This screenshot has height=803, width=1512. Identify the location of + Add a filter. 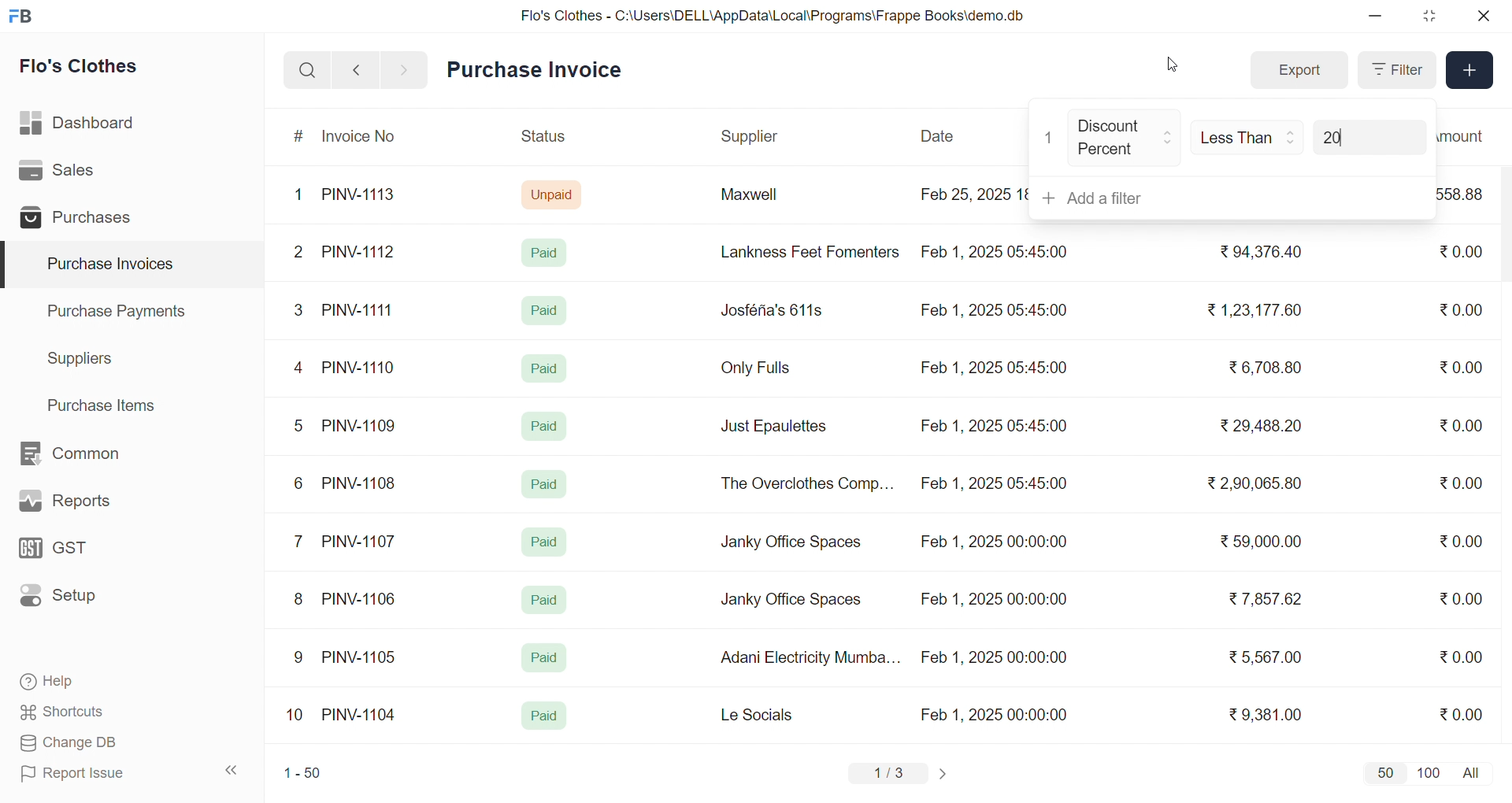
(1228, 198).